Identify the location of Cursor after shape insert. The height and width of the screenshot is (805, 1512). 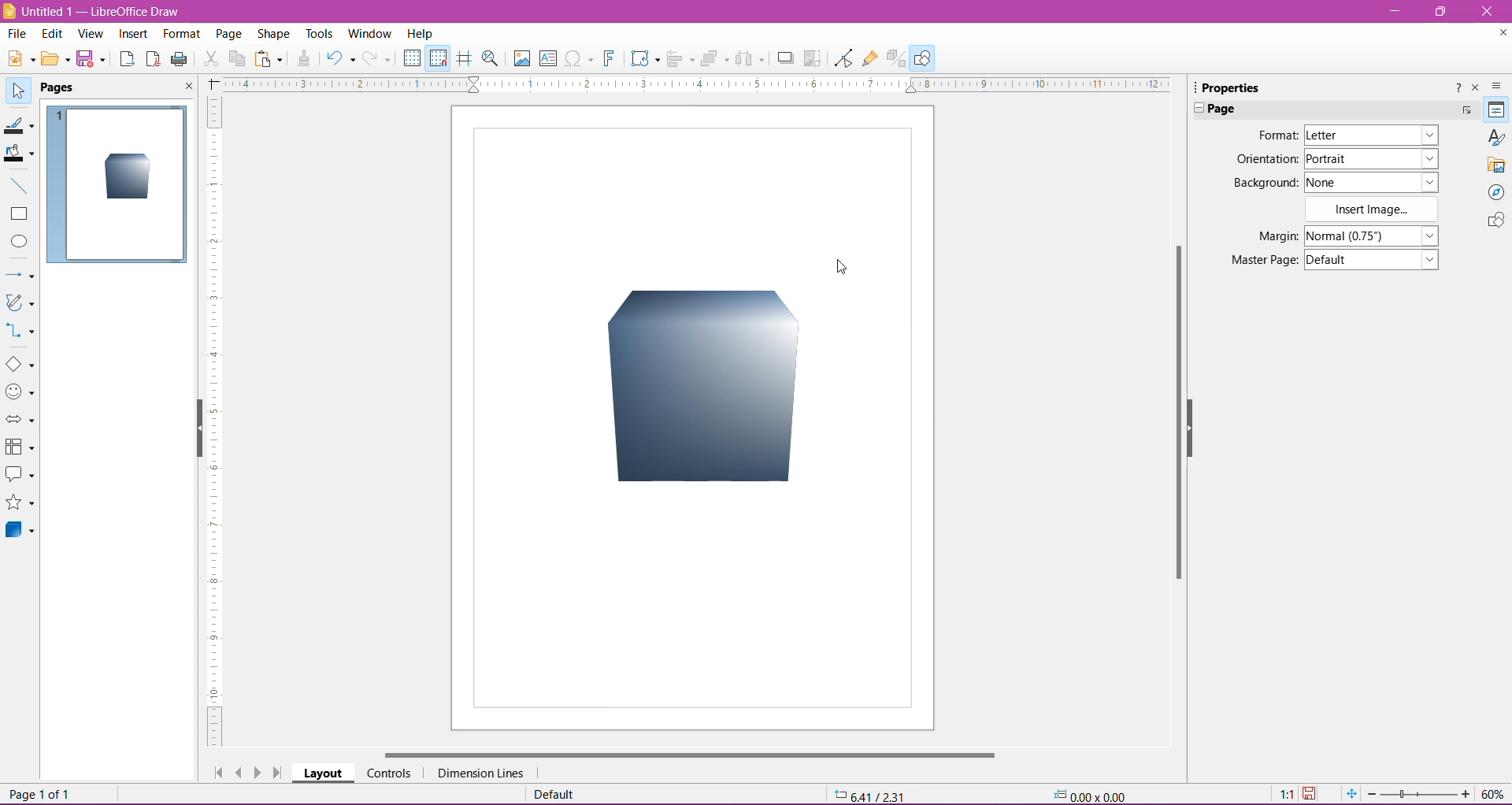
(848, 265).